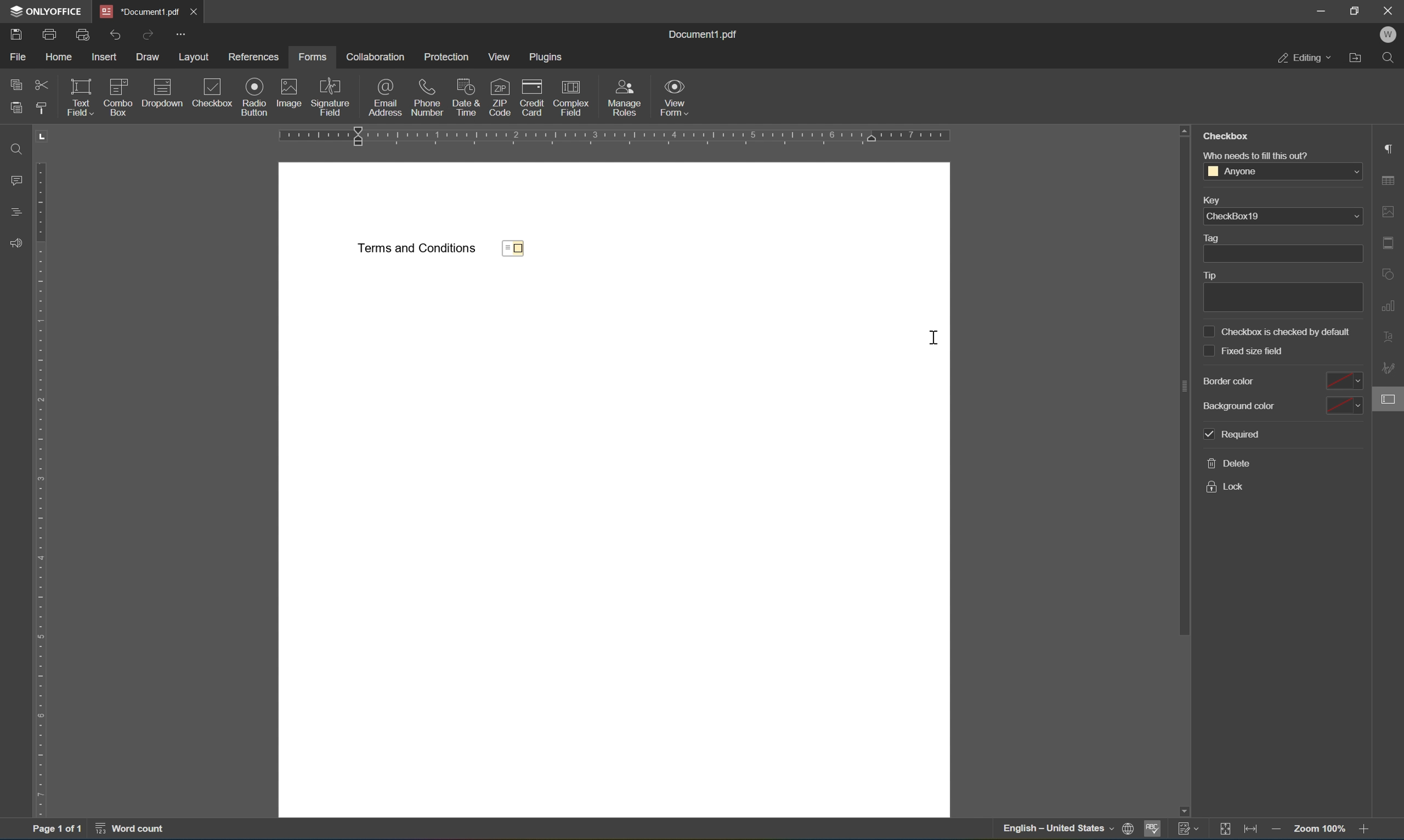  Describe the element at coordinates (17, 246) in the screenshot. I see `feedback and support` at that location.